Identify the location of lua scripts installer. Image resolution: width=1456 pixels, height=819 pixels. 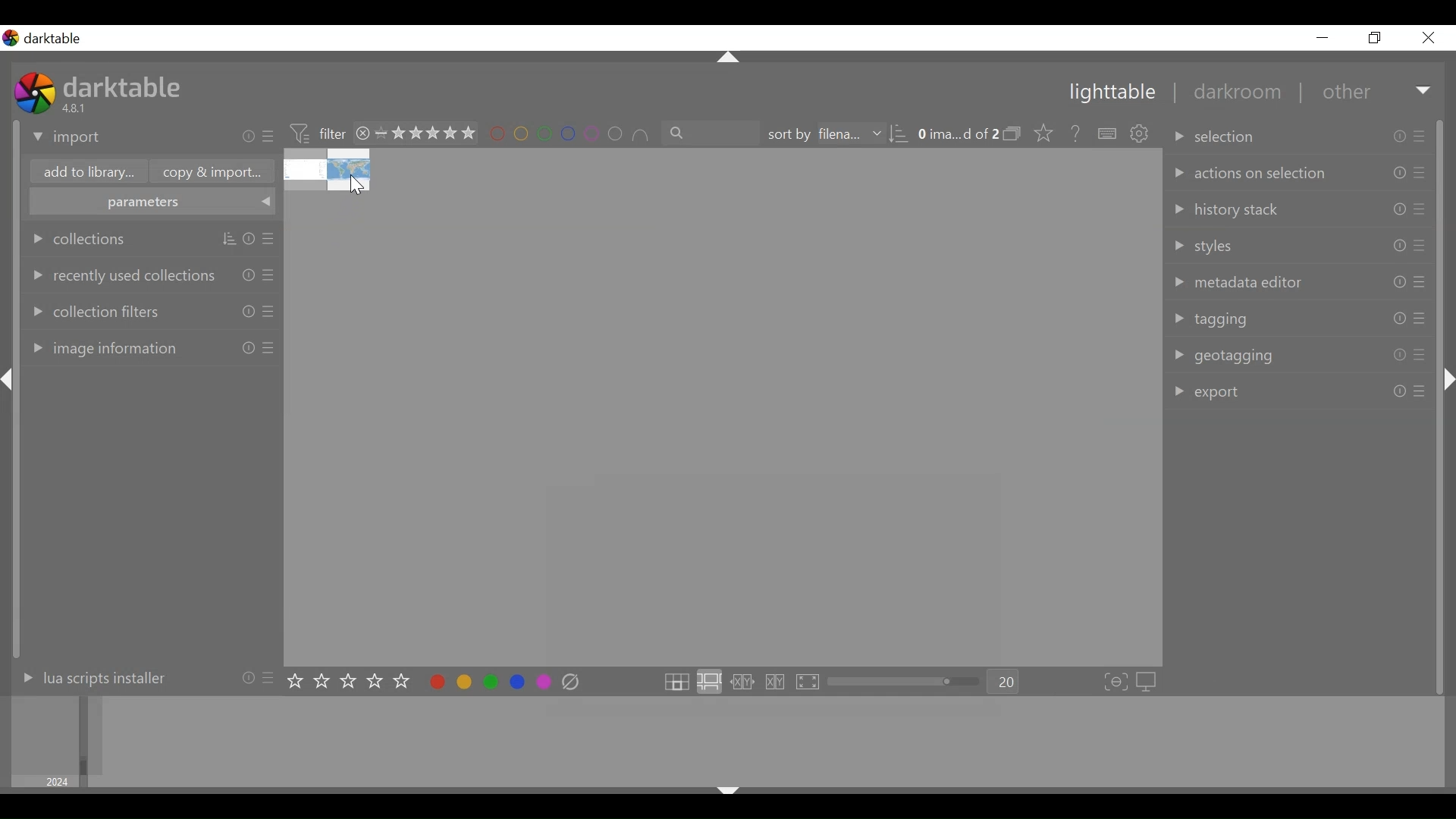
(140, 682).